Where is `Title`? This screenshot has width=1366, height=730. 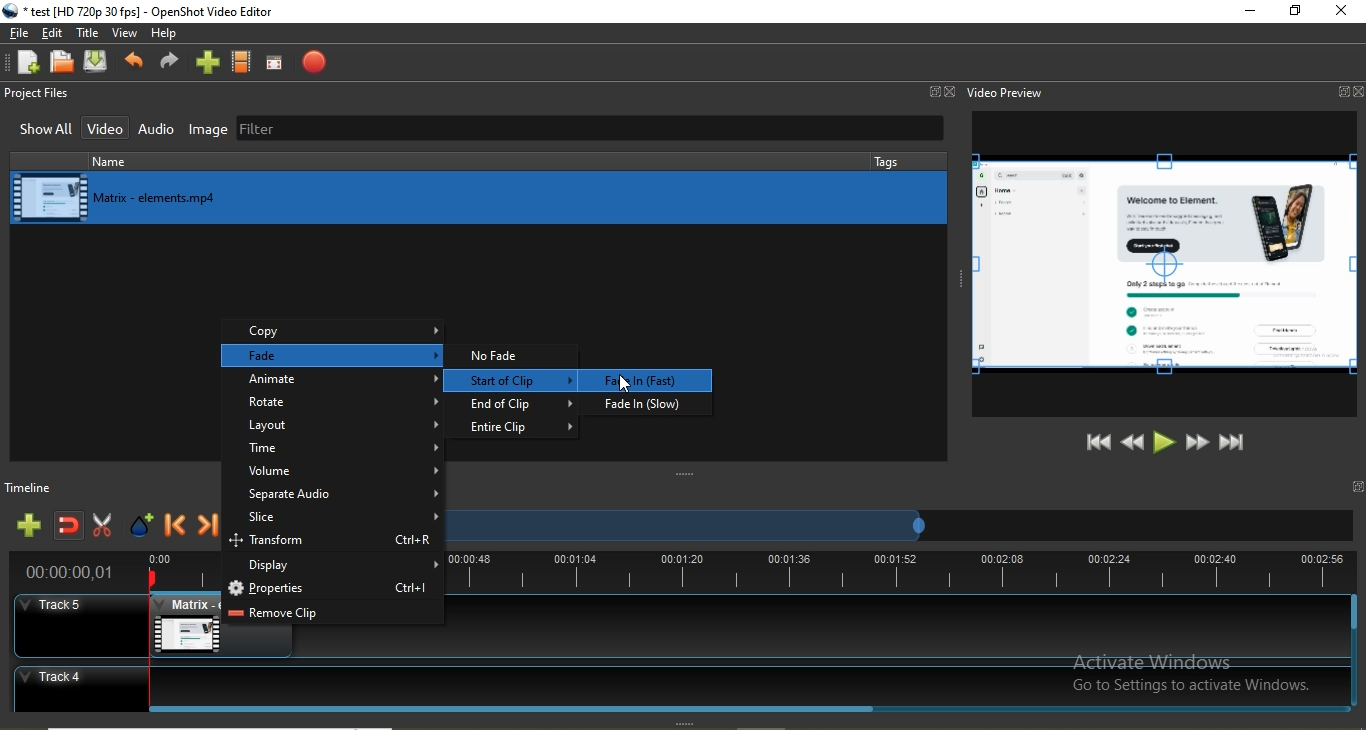 Title is located at coordinates (89, 34).